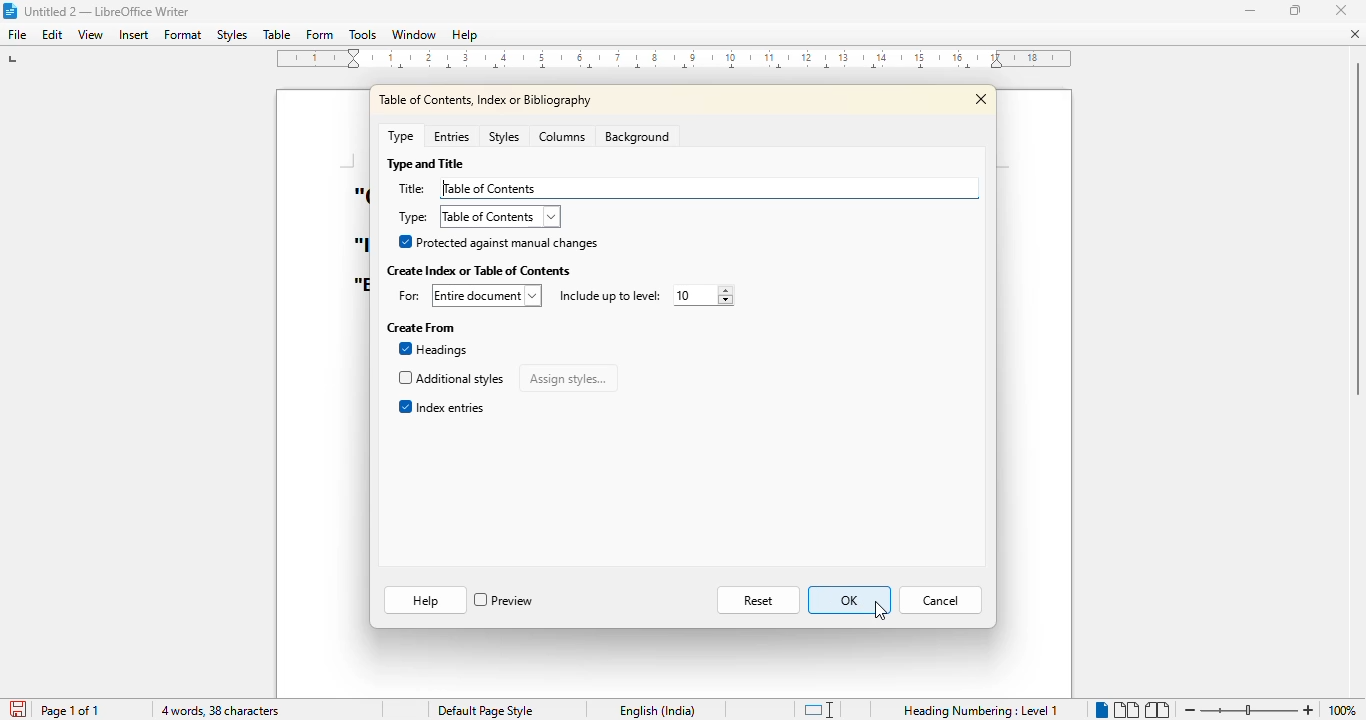  I want to click on zoom out, so click(1188, 711).